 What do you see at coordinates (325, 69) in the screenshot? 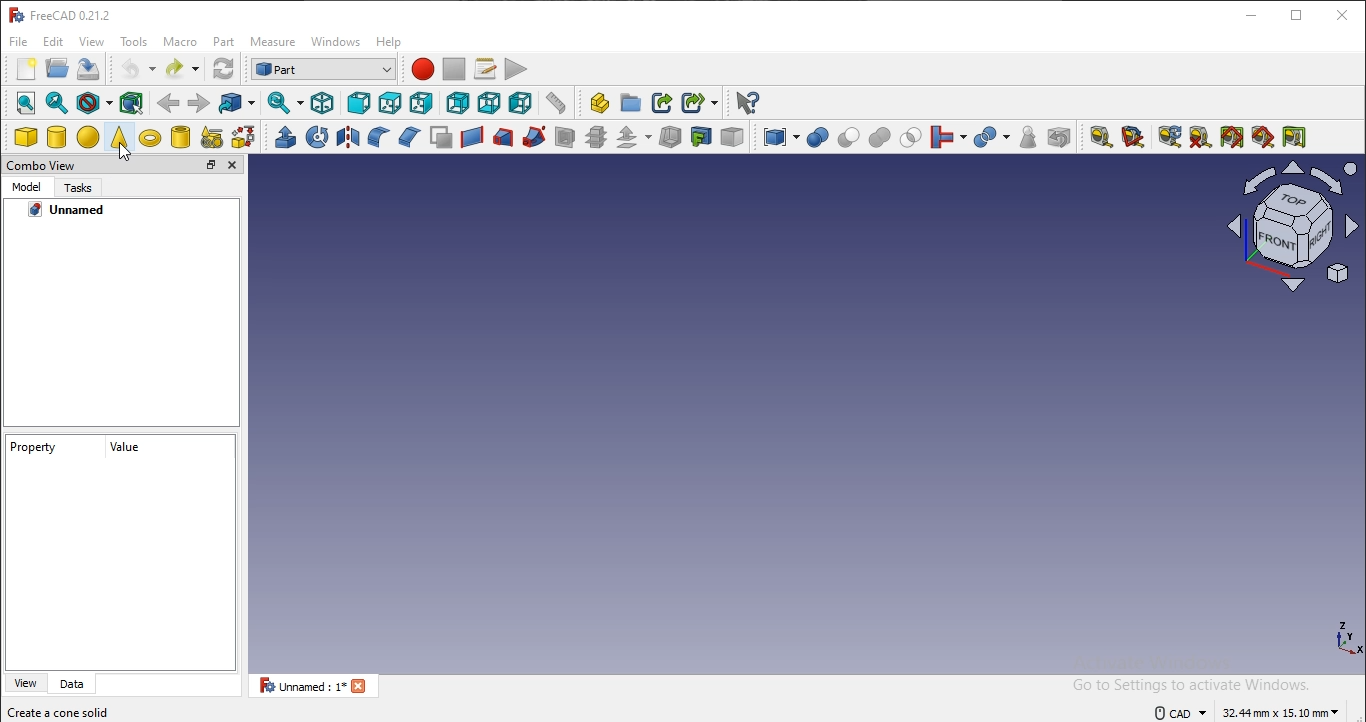
I see `workbench` at bounding box center [325, 69].